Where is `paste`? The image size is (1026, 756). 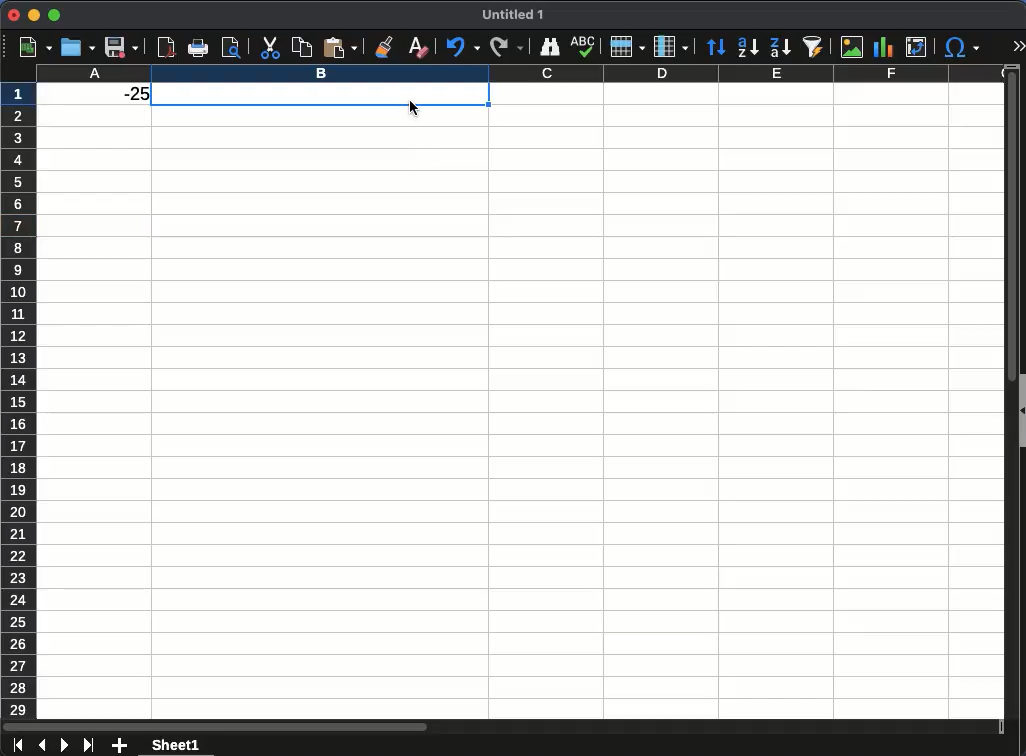 paste is located at coordinates (300, 47).